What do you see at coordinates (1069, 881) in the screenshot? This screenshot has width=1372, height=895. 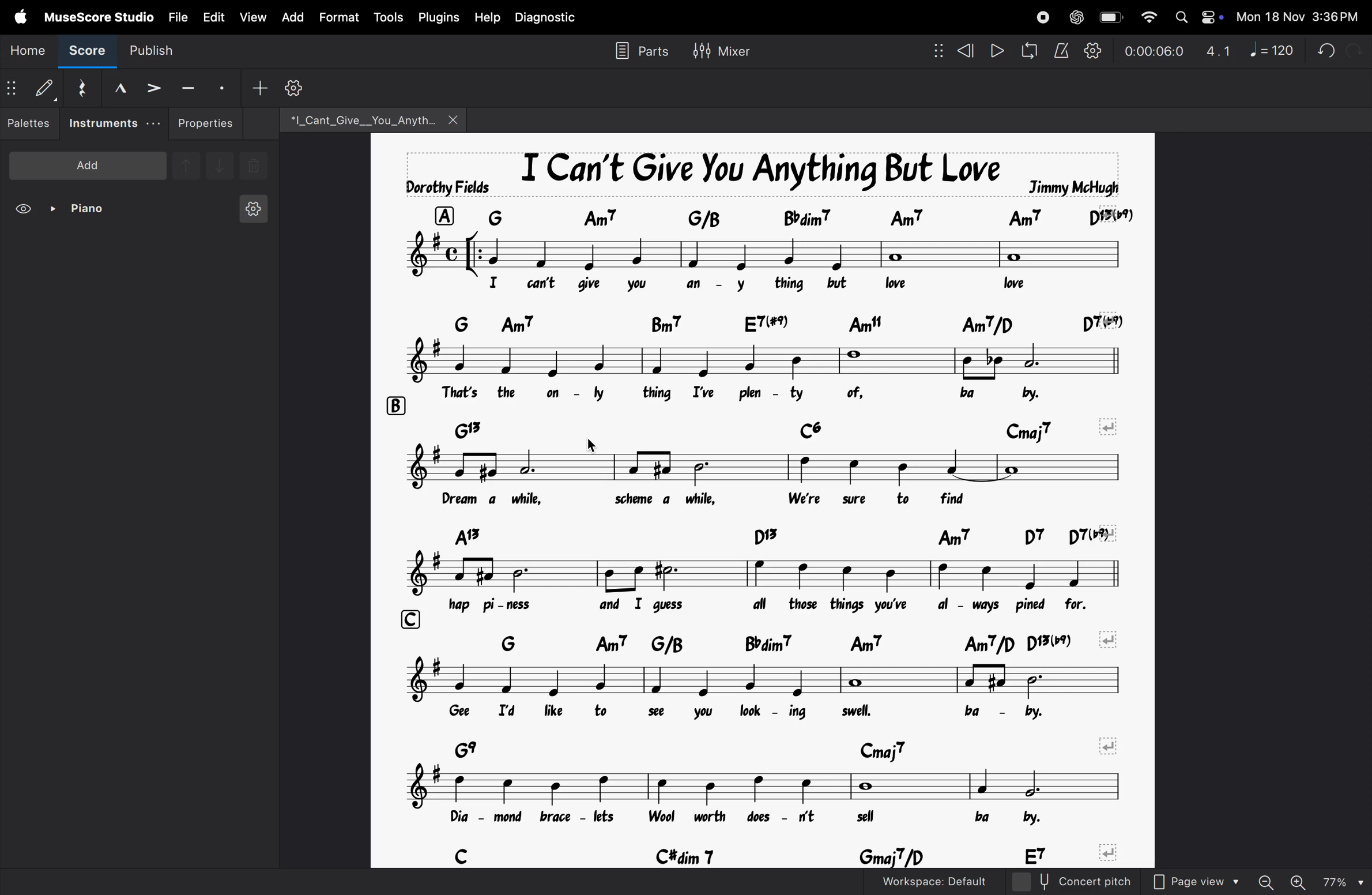 I see `concert pitch` at bounding box center [1069, 881].